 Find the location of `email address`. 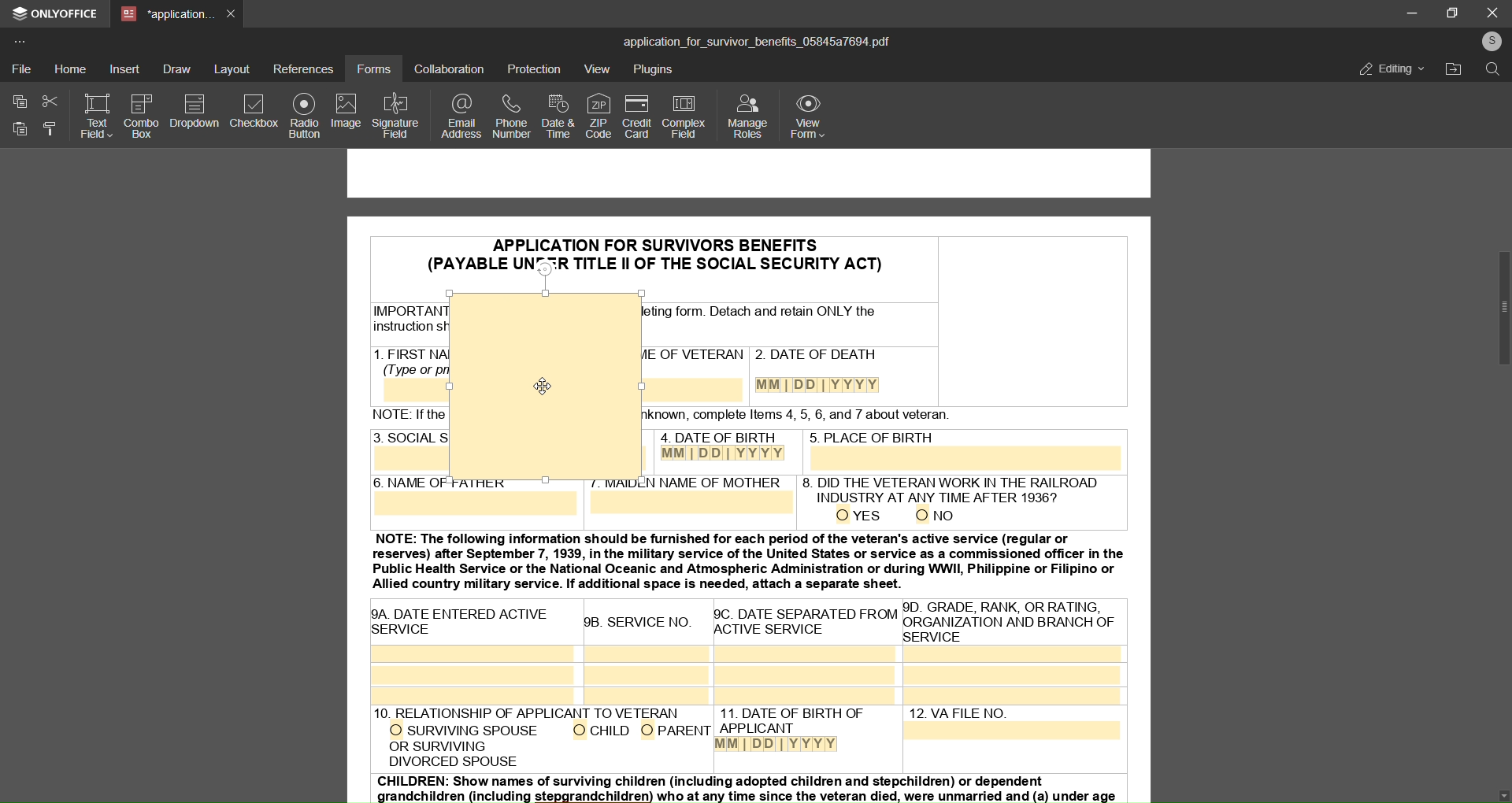

email address is located at coordinates (461, 117).